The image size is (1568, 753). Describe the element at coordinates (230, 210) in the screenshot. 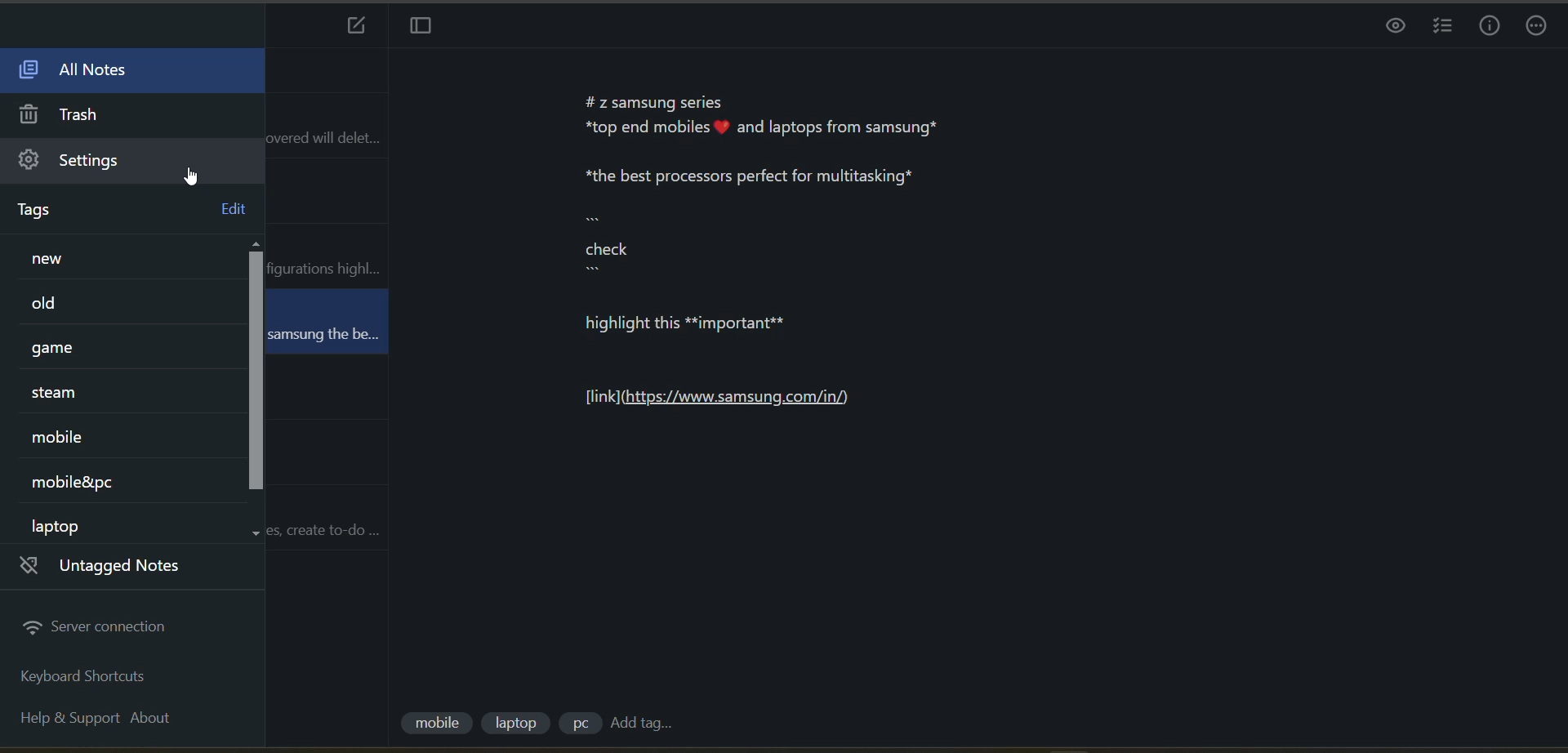

I see `edit` at that location.